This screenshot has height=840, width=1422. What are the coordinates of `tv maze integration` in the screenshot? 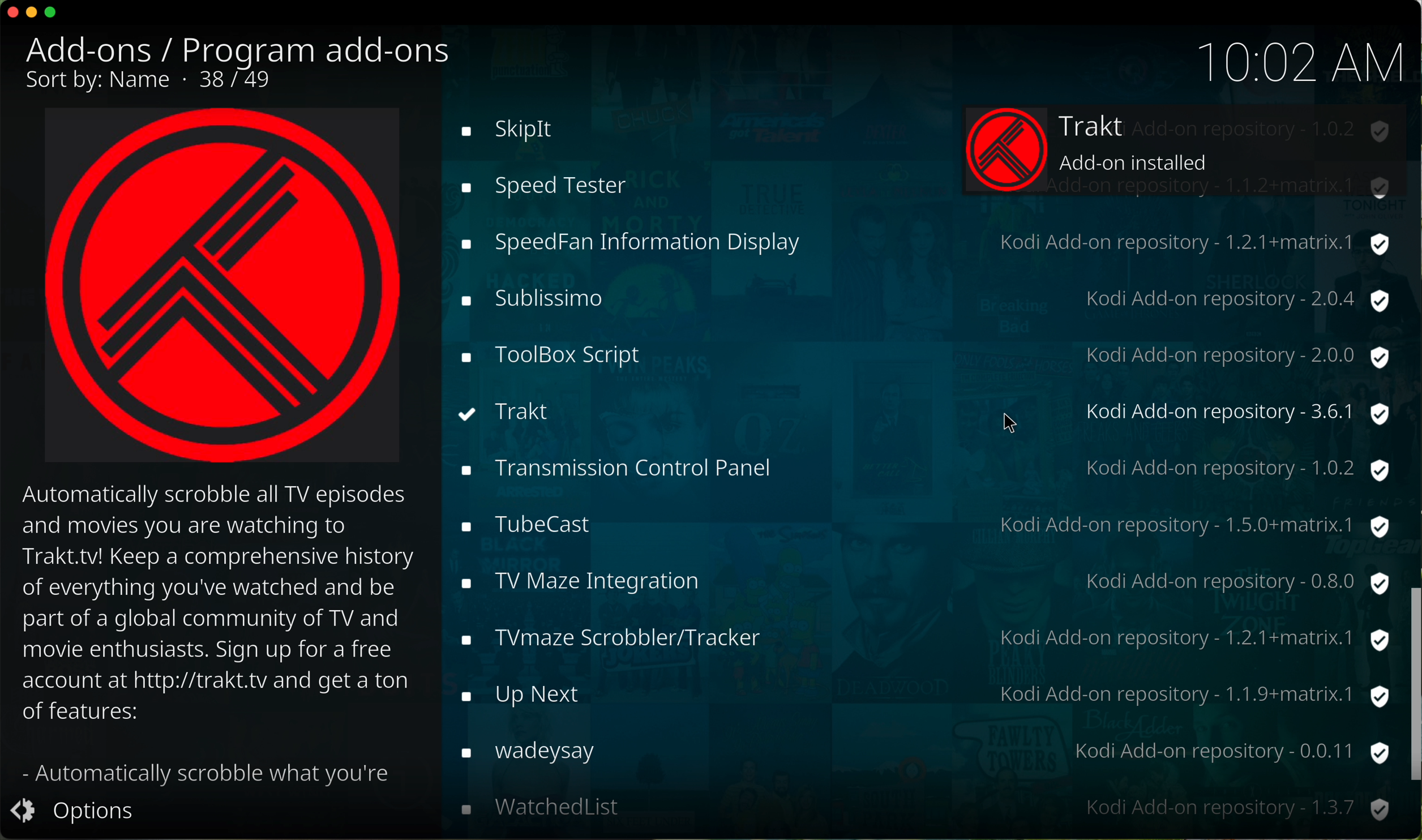 It's located at (918, 354).